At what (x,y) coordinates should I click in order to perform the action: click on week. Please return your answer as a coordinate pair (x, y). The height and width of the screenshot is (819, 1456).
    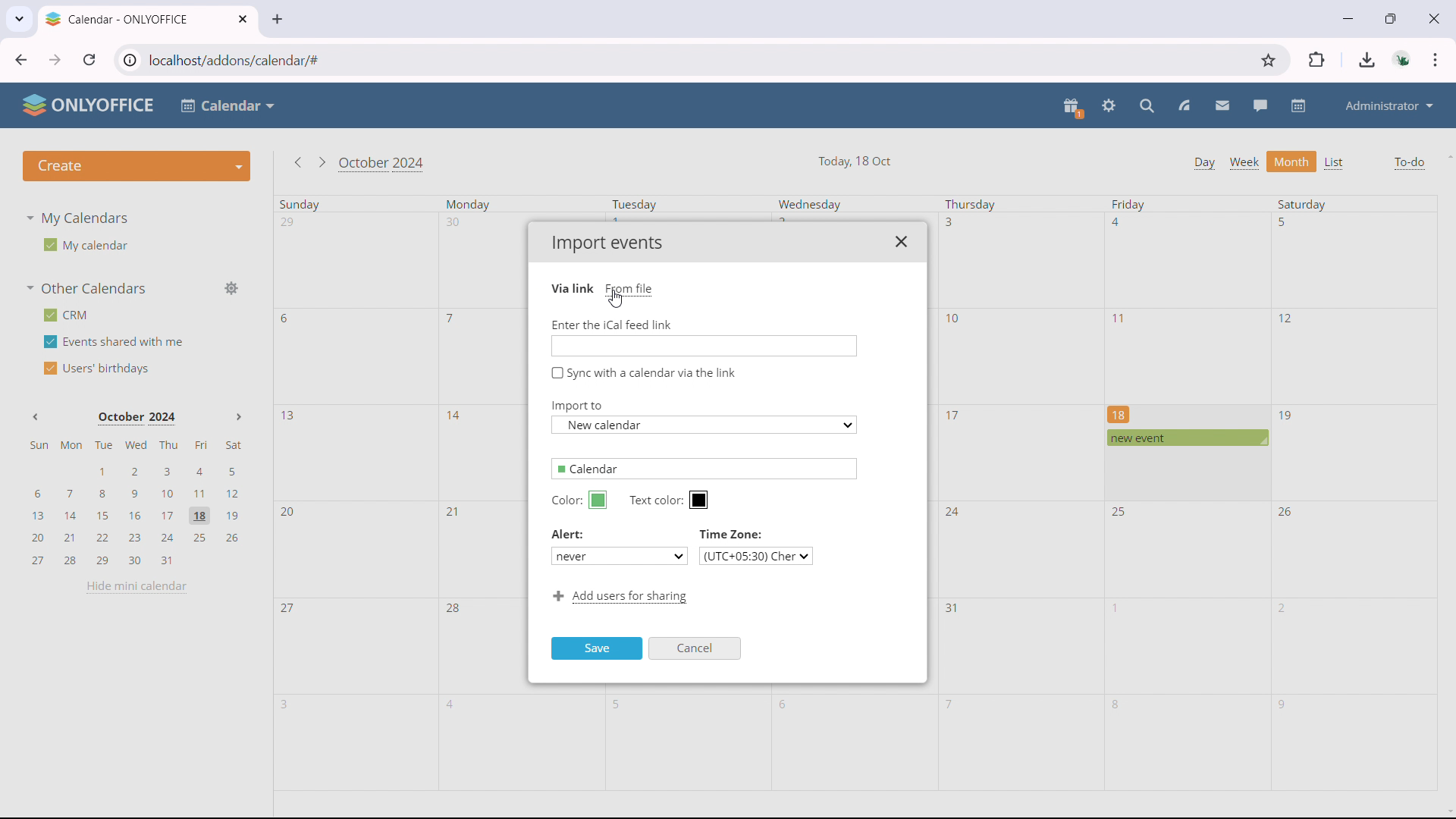
    Looking at the image, I should click on (1244, 164).